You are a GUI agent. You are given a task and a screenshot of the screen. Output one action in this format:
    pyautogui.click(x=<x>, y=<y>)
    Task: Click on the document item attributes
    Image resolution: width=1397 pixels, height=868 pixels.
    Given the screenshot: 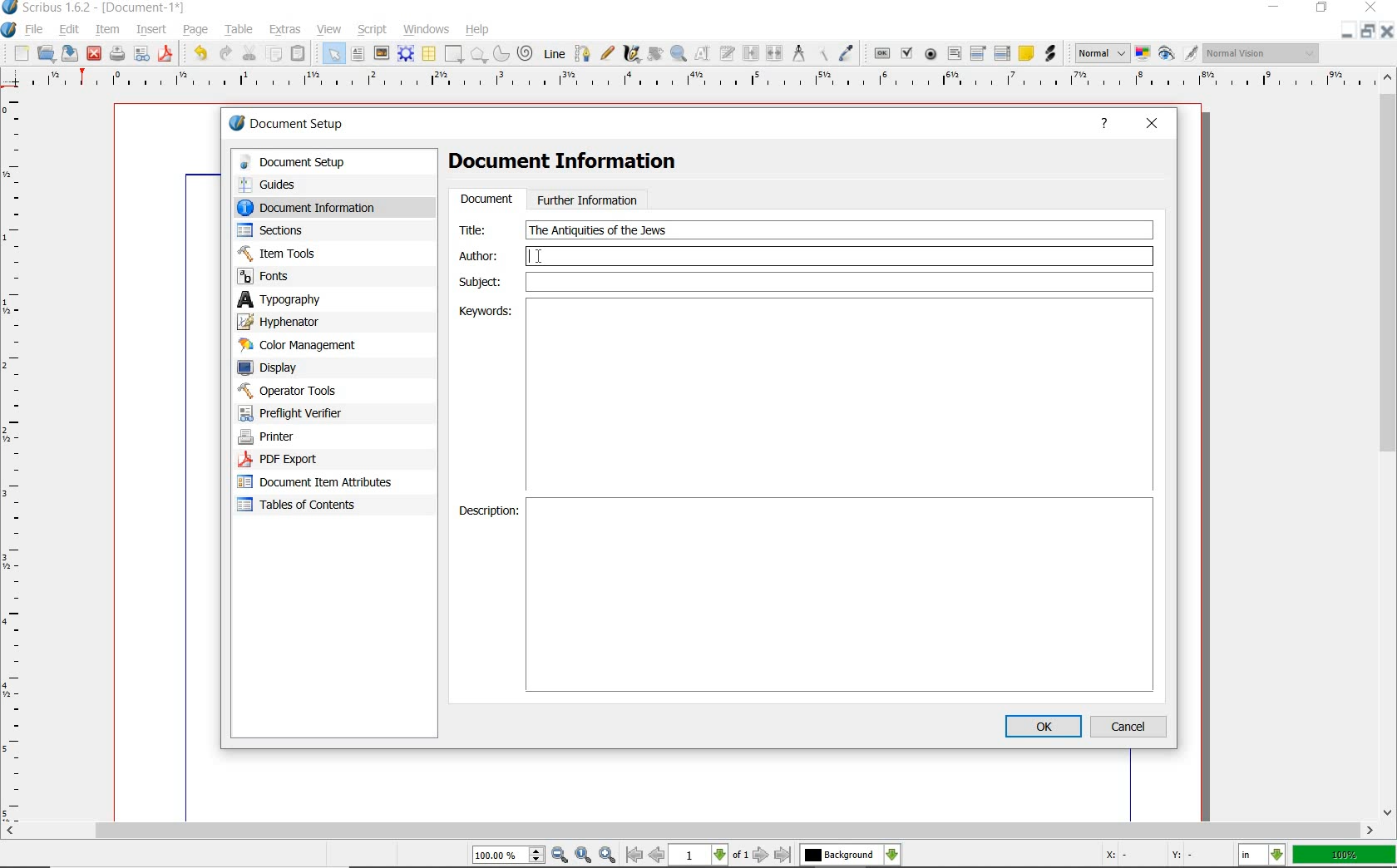 What is the action you would take?
    pyautogui.click(x=321, y=484)
    